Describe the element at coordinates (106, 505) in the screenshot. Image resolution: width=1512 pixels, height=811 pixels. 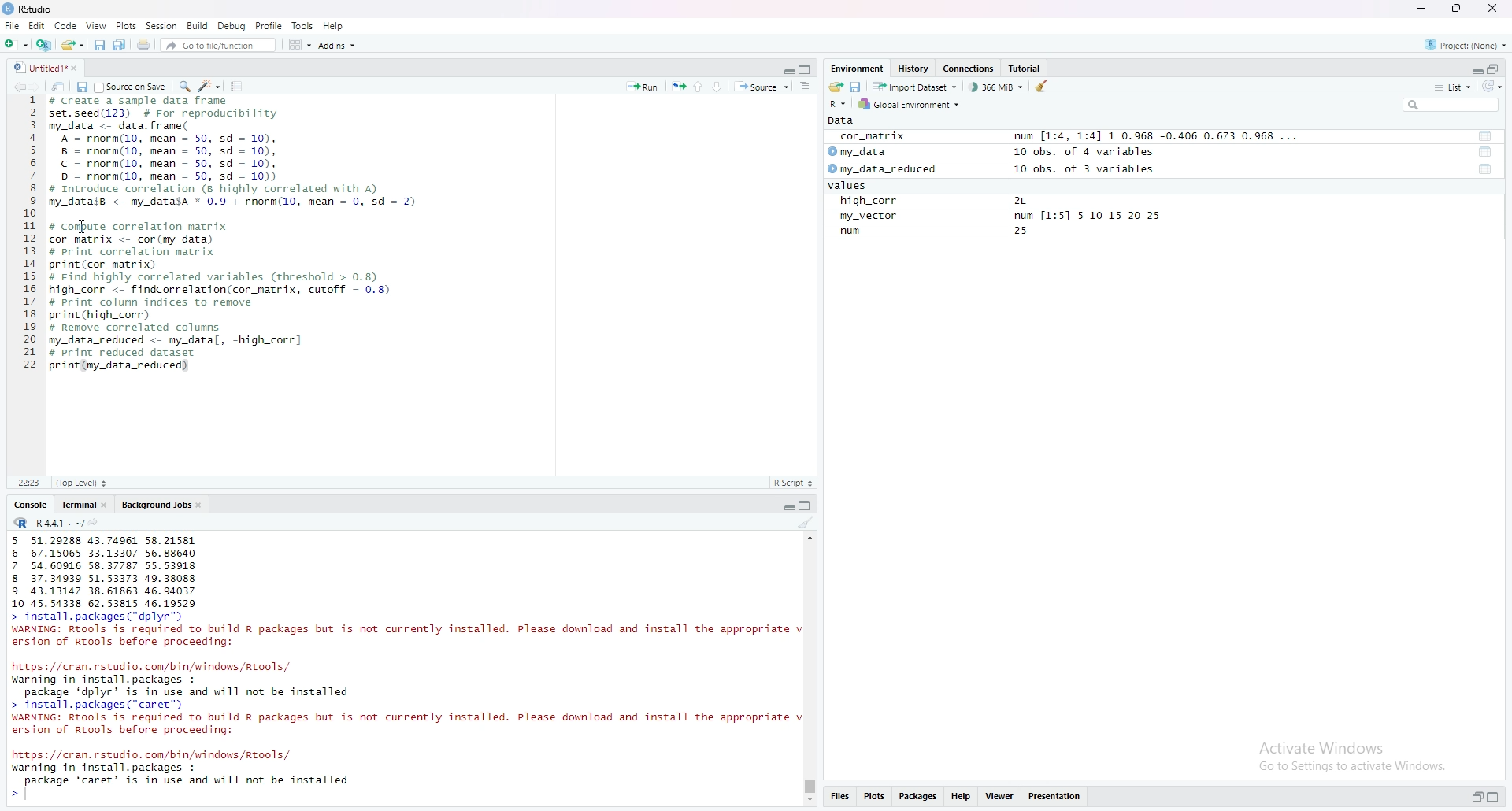
I see `close` at that location.